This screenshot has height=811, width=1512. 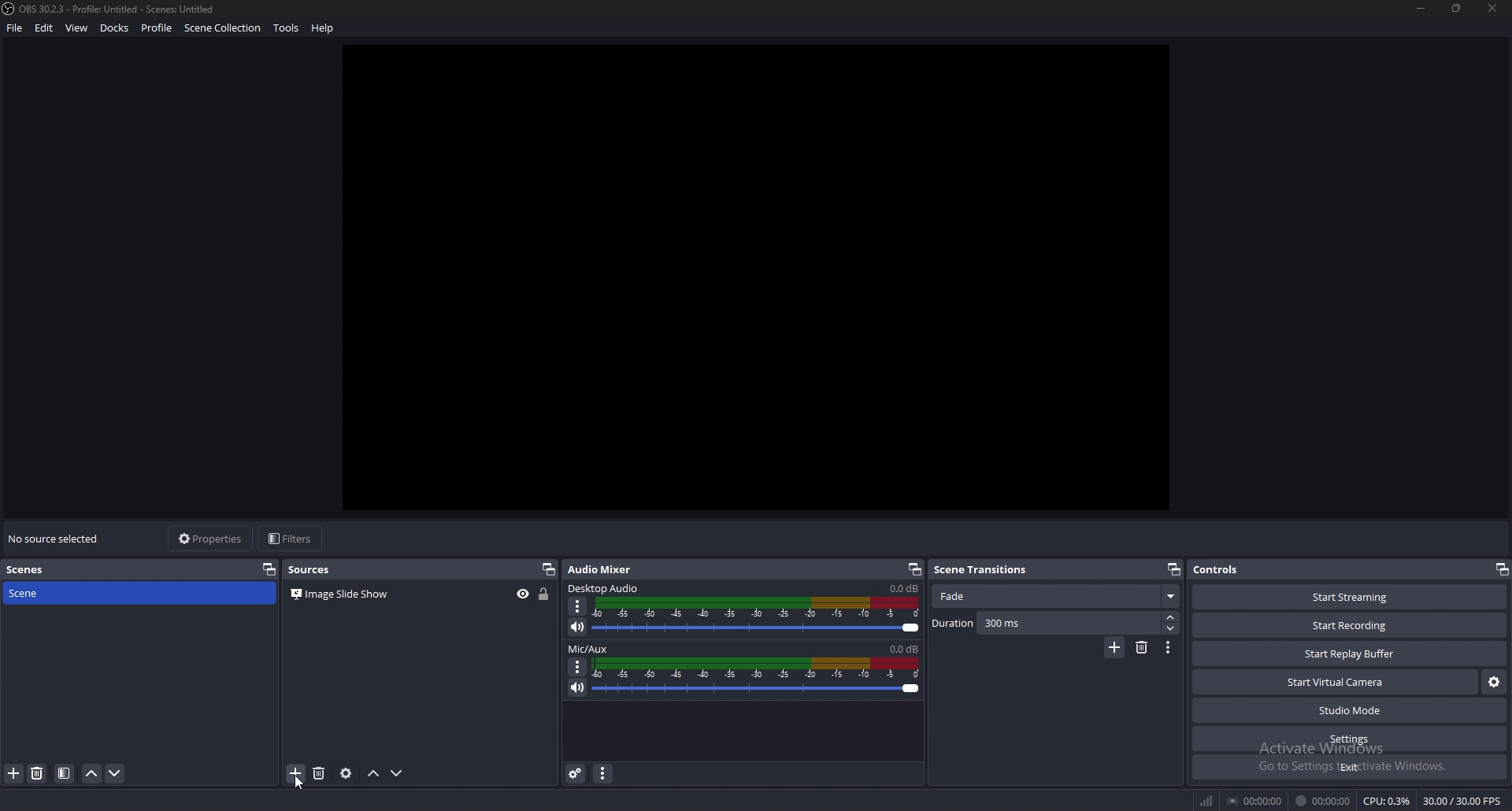 I want to click on options, so click(x=577, y=606).